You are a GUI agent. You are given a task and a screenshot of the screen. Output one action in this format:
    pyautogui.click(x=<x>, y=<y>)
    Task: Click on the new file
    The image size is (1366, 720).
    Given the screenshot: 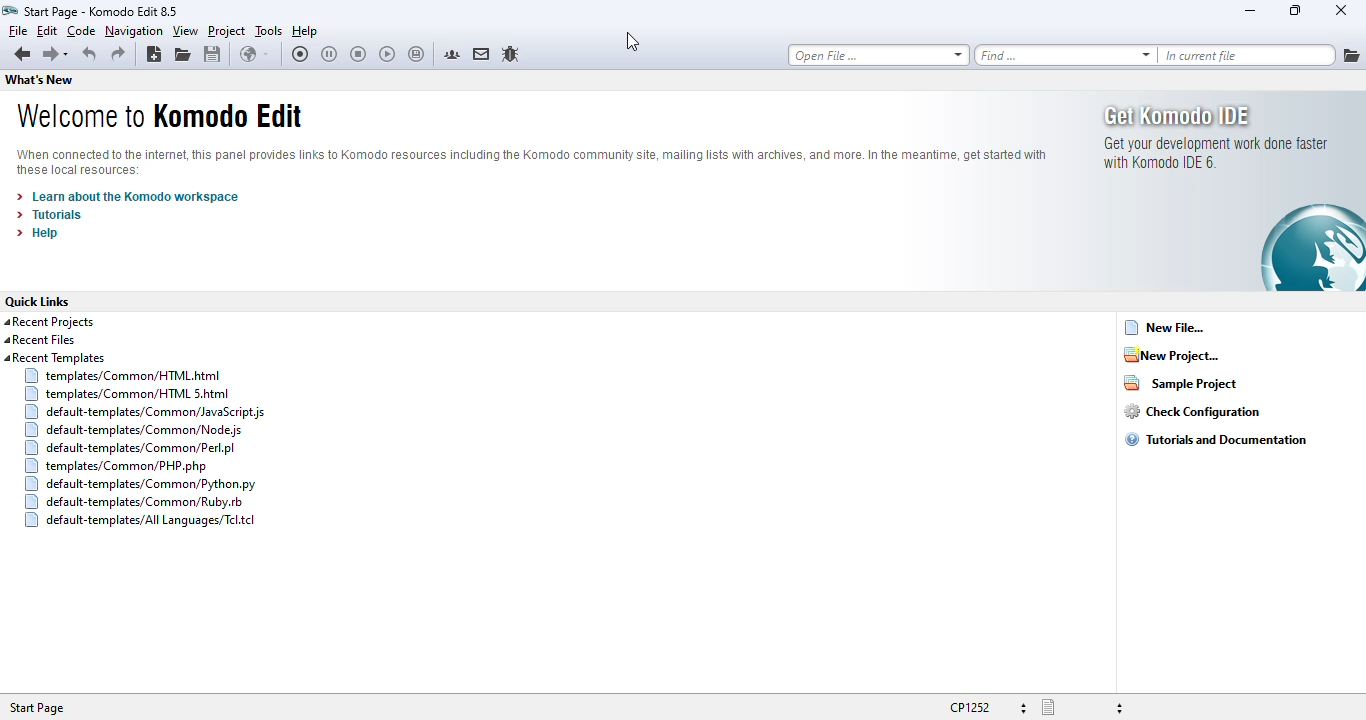 What is the action you would take?
    pyautogui.click(x=1165, y=327)
    